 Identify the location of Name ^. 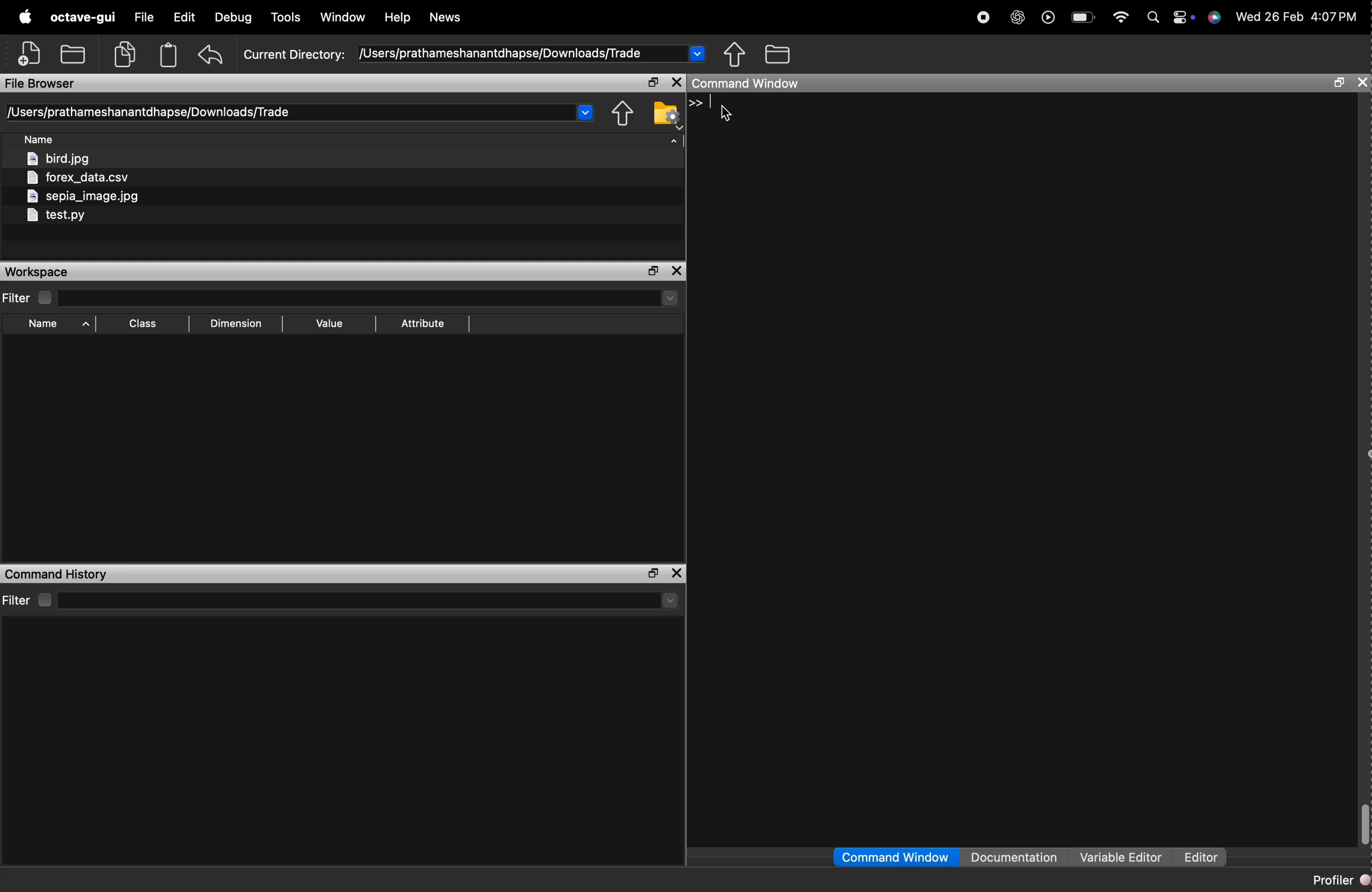
(61, 324).